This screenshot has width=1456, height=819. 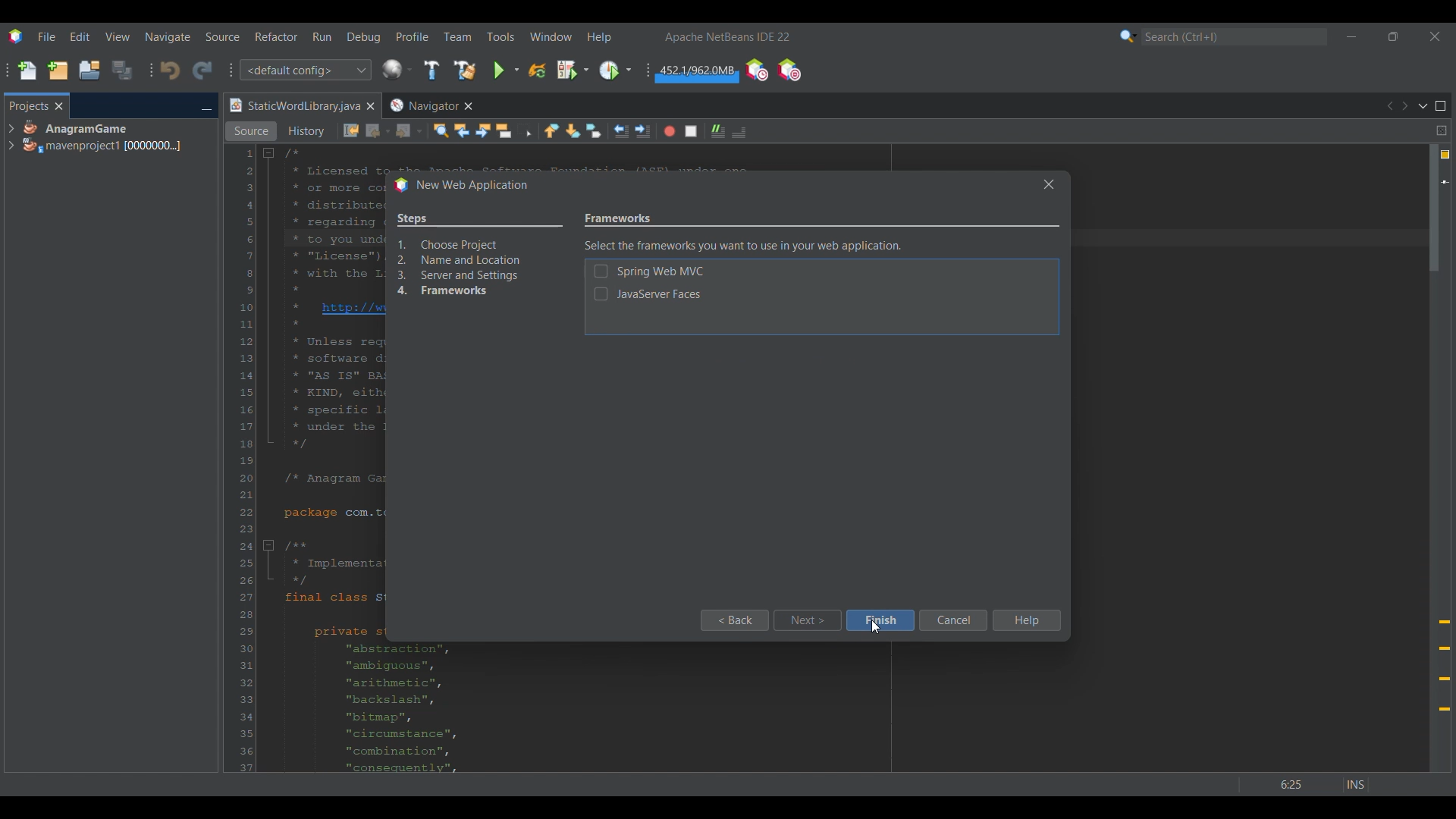 What do you see at coordinates (742, 245) in the screenshot?
I see `Description of current setting` at bounding box center [742, 245].